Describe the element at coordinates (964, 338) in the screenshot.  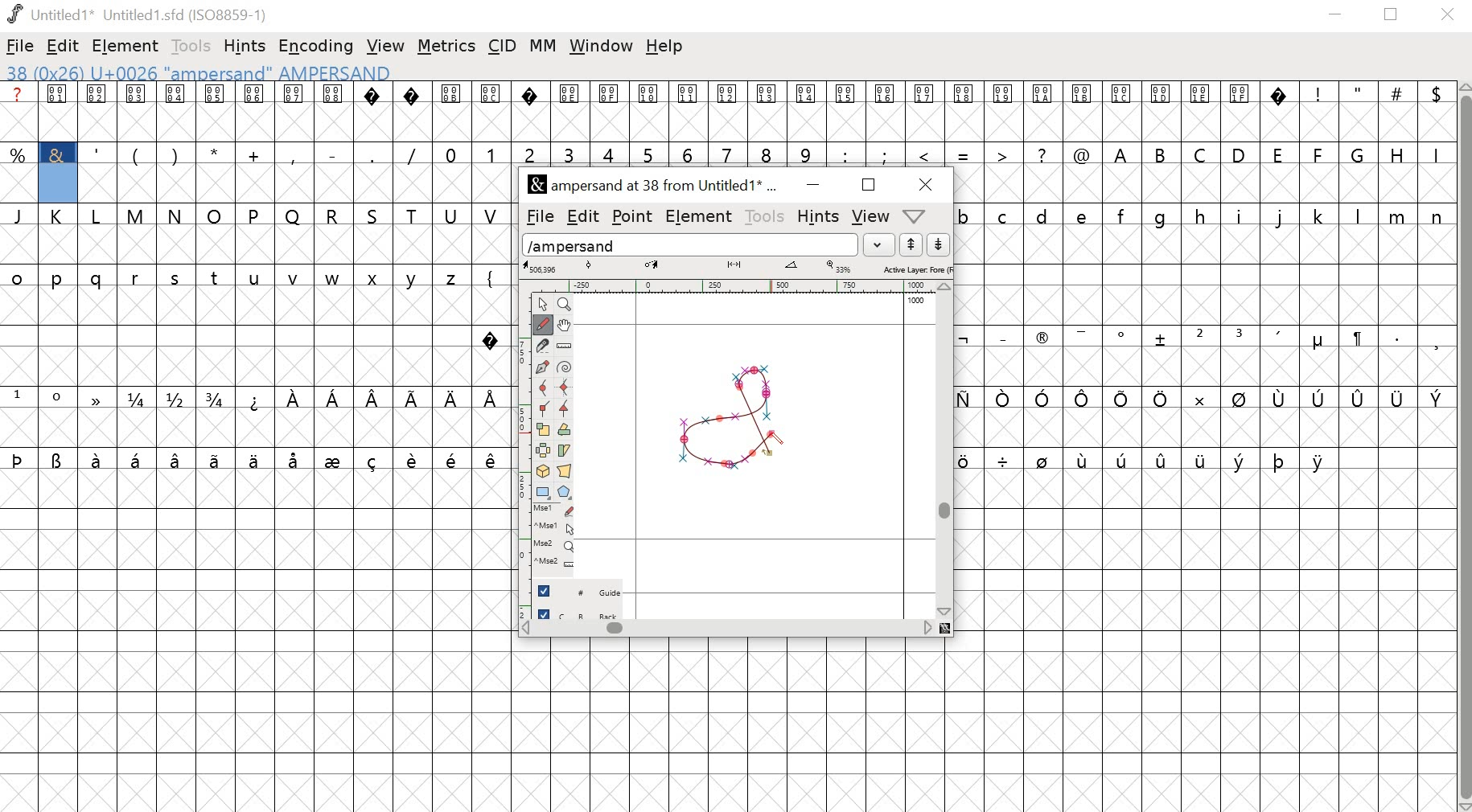
I see `symbol` at that location.